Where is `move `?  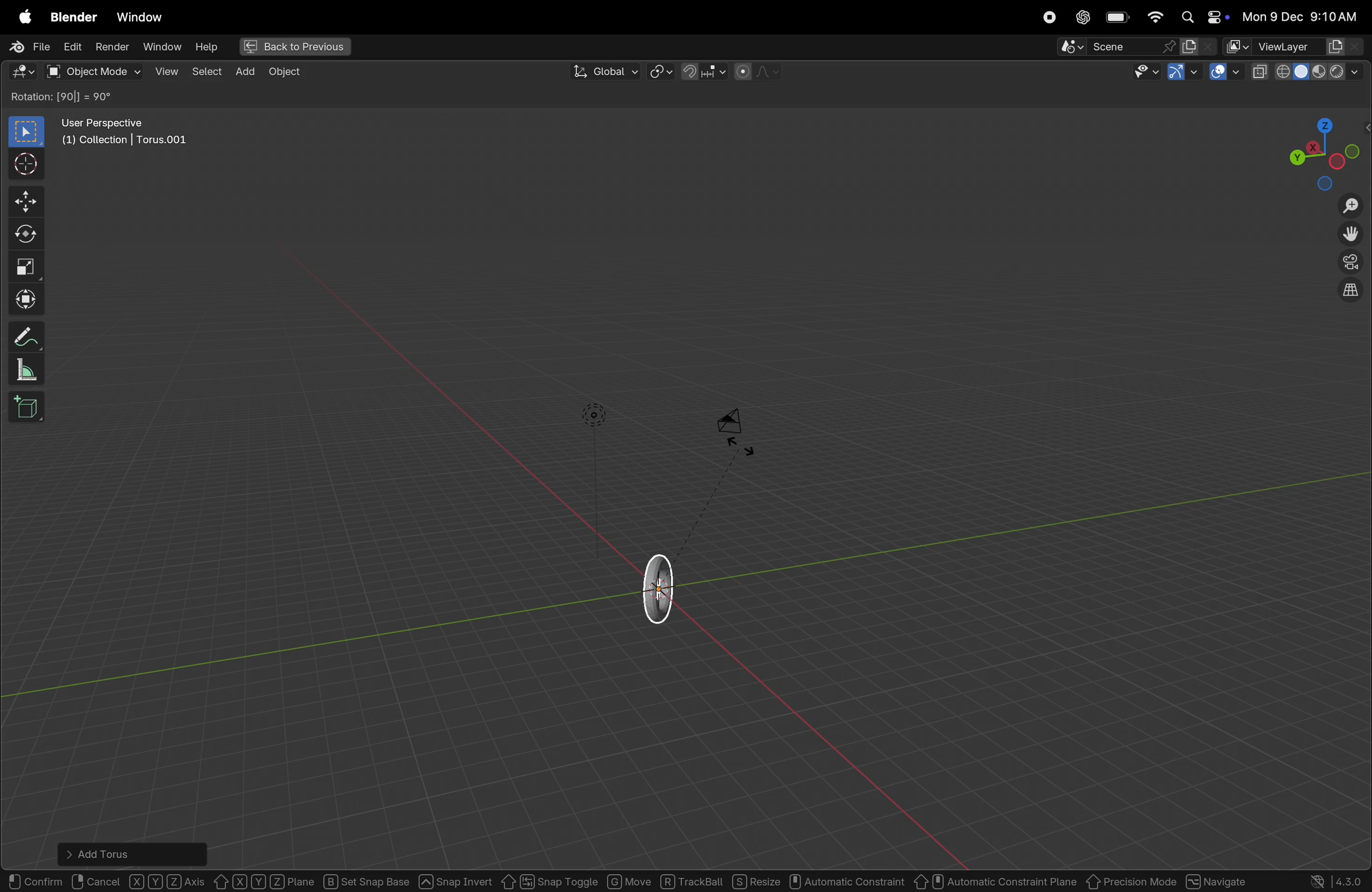
move  is located at coordinates (28, 201).